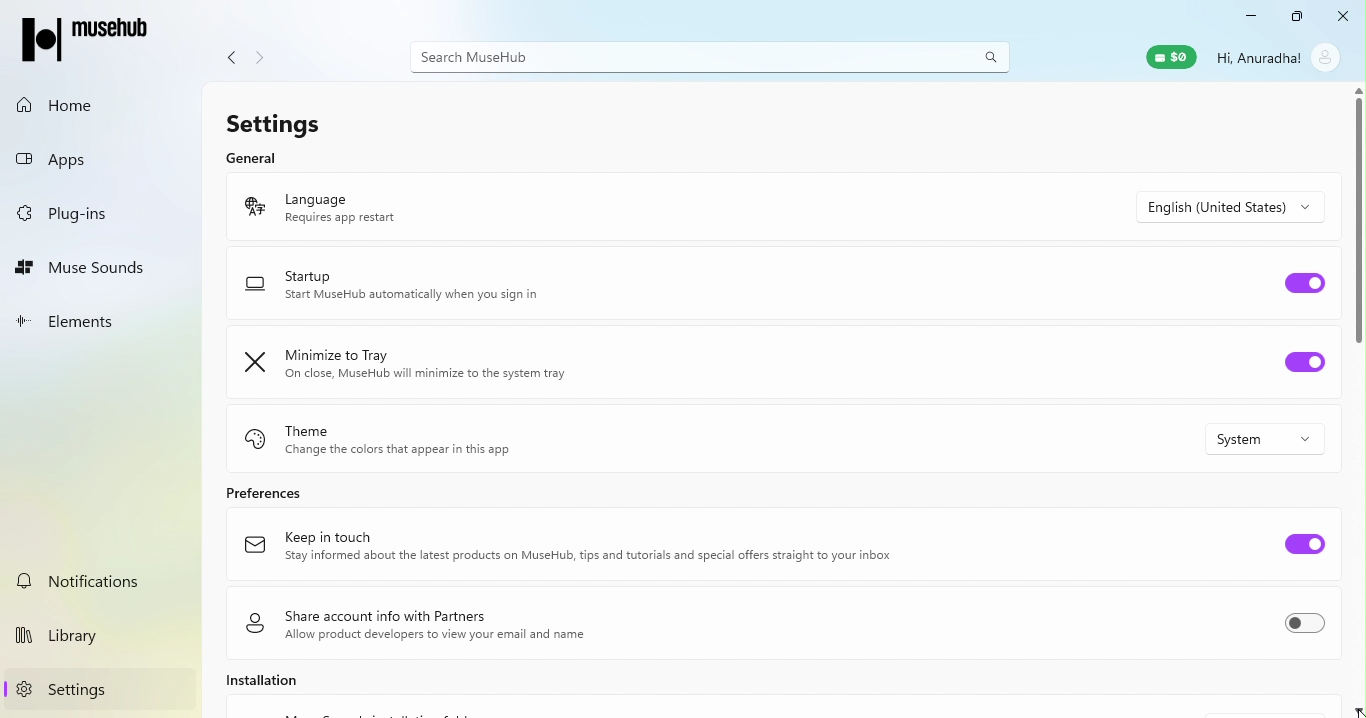 The image size is (1366, 718). I want to click on Navigate forward, so click(260, 59).